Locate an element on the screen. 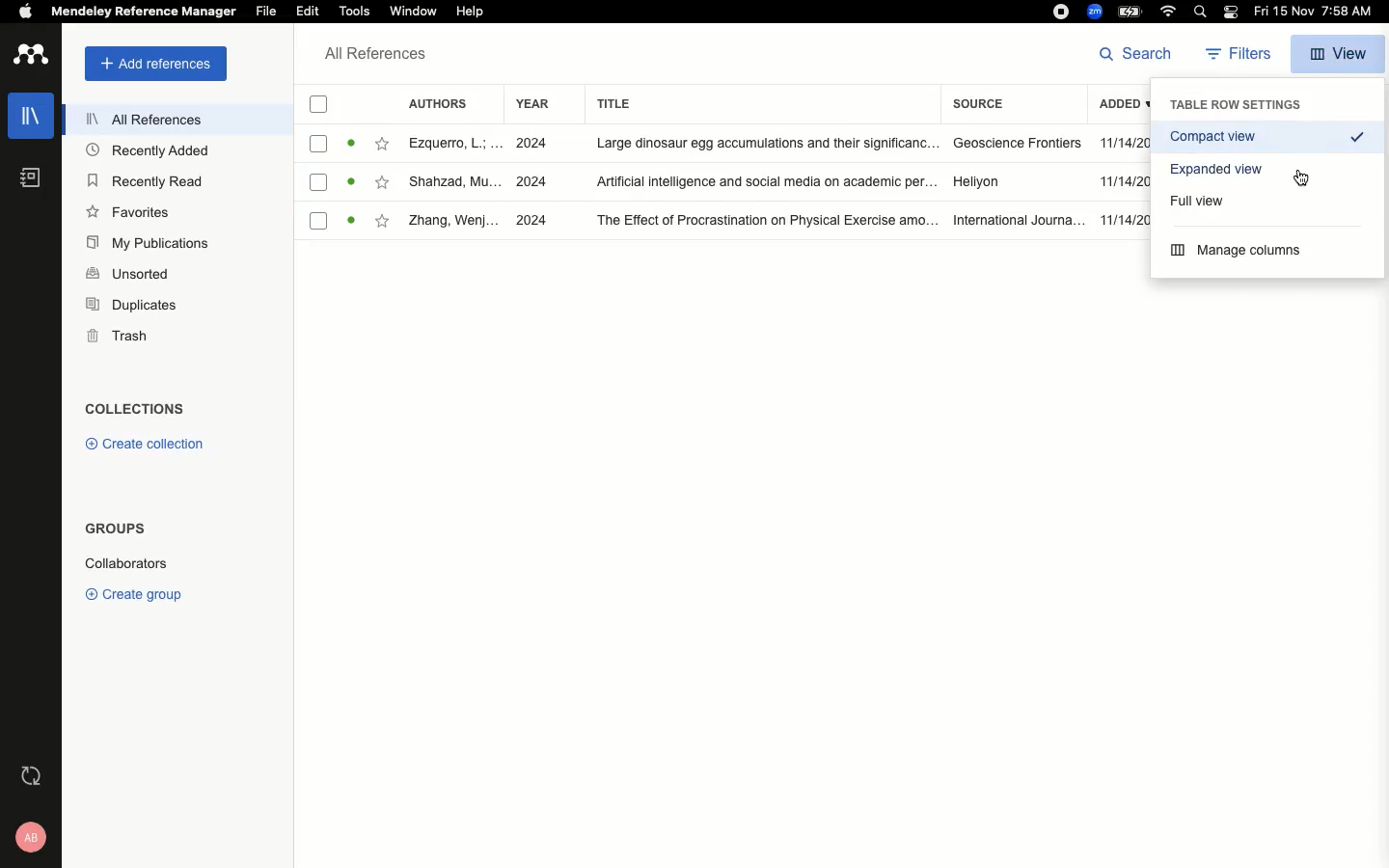 The height and width of the screenshot is (868, 1389). Mendeley is located at coordinates (142, 14).